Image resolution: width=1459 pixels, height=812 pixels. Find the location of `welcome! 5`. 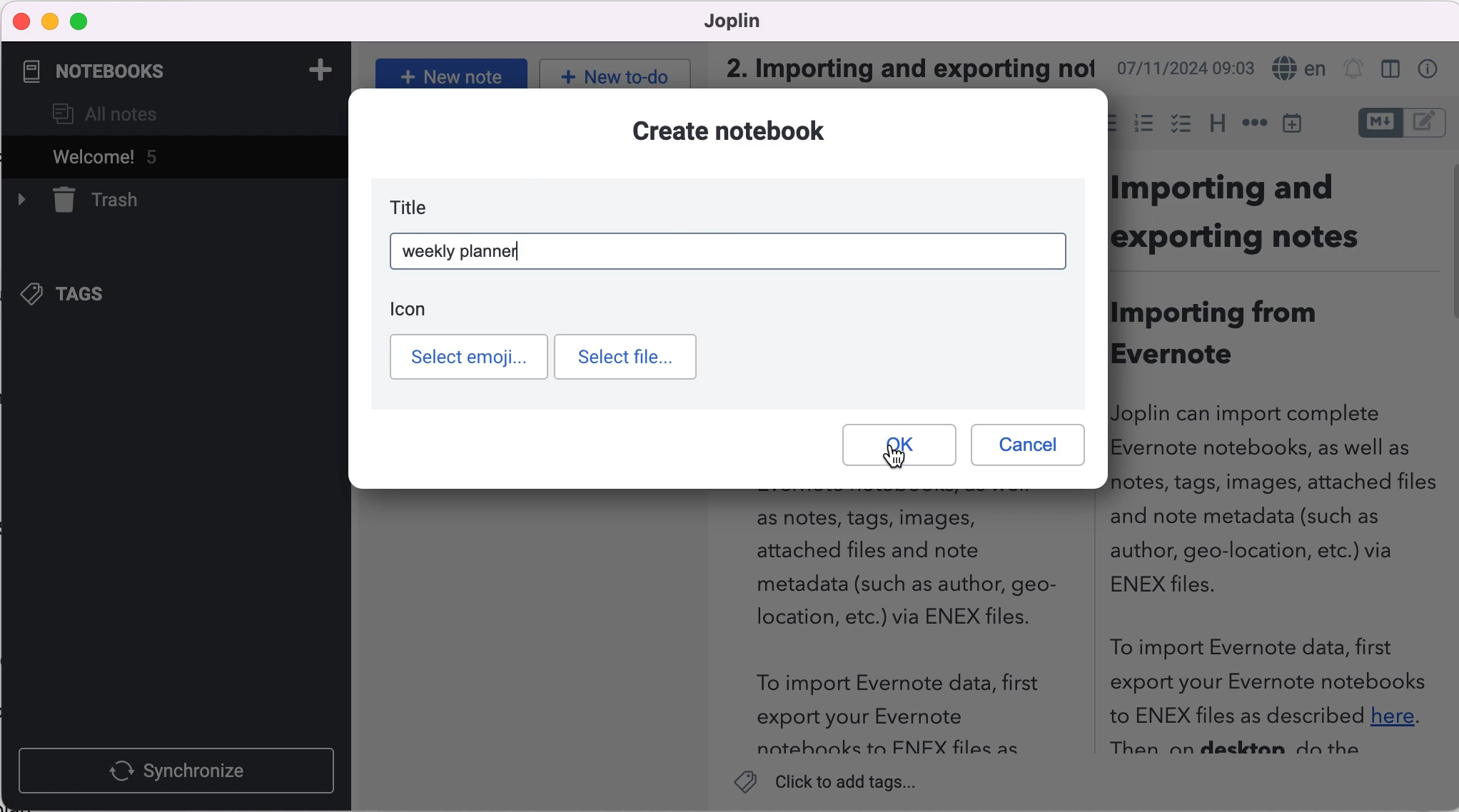

welcome! 5 is located at coordinates (128, 160).